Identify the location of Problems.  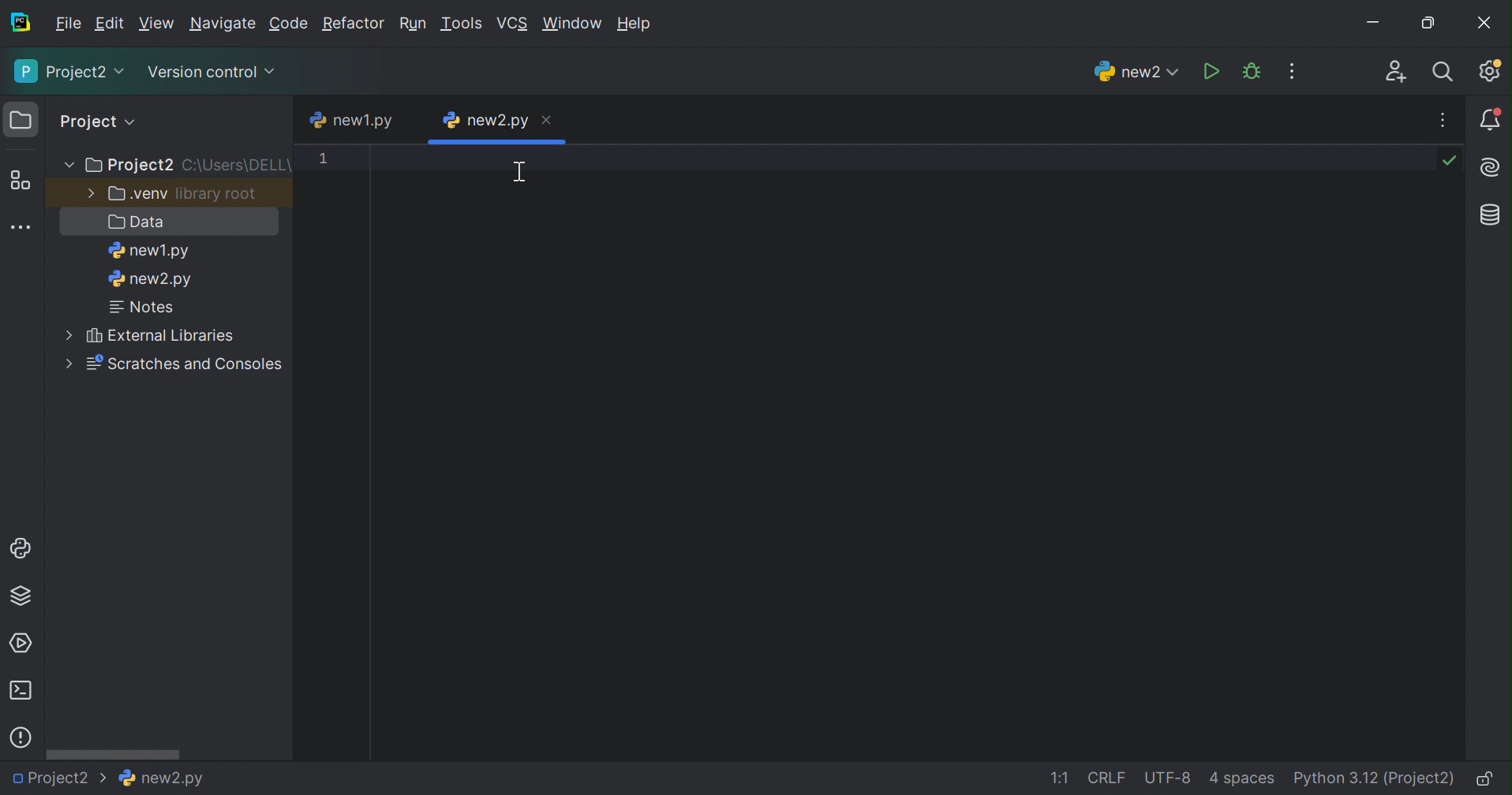
(21, 738).